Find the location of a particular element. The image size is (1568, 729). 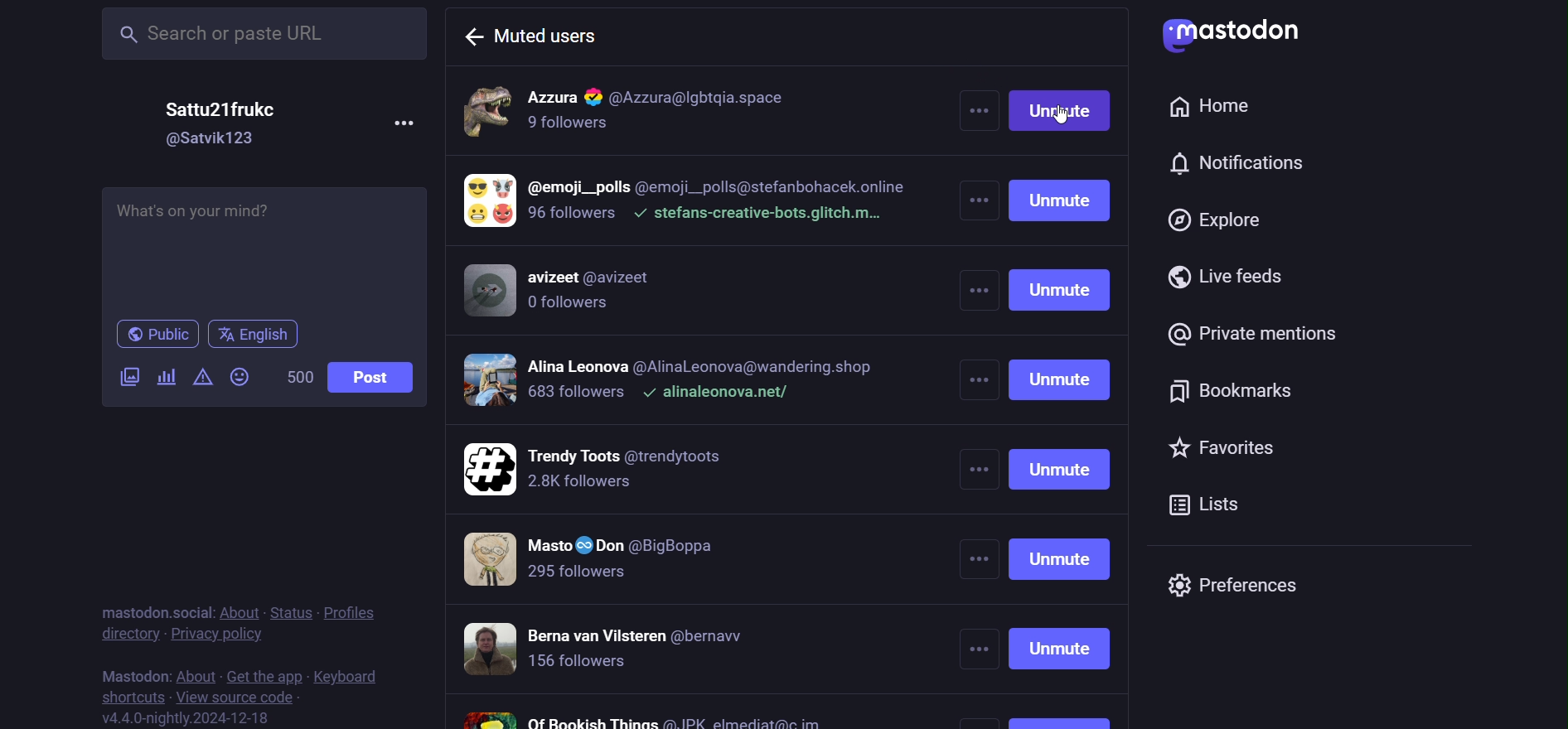

id is located at coordinates (216, 140).